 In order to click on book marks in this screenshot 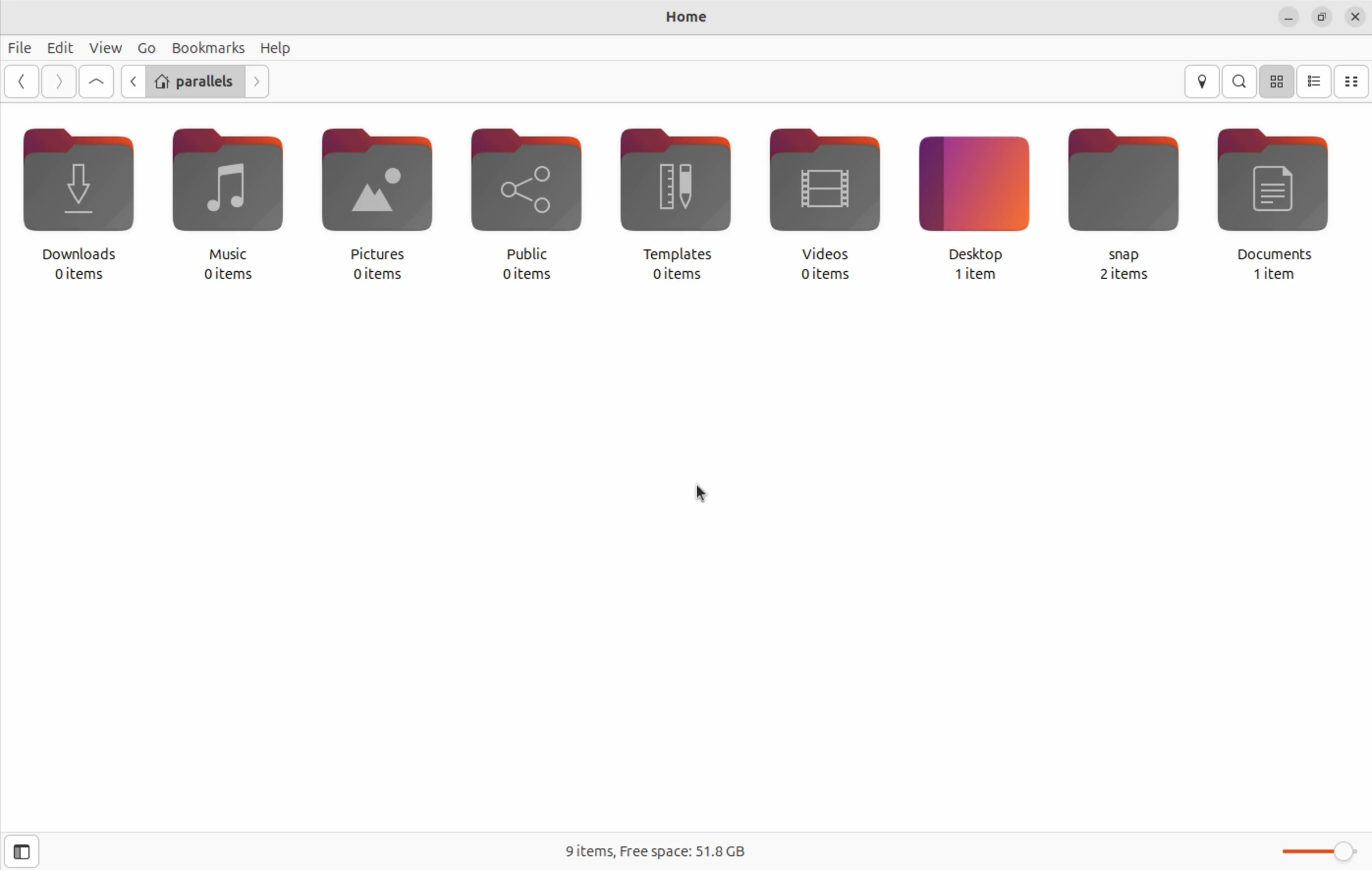, I will do `click(206, 46)`.